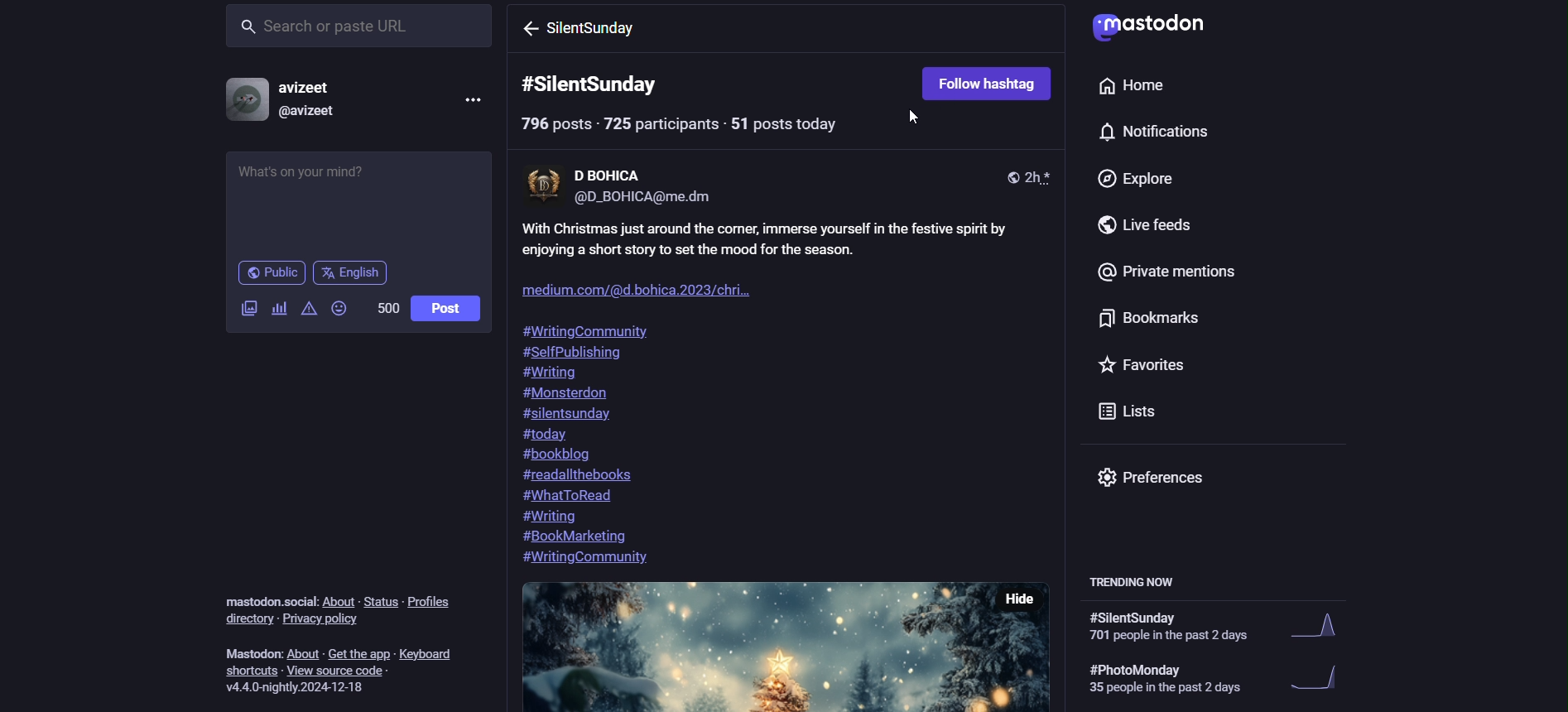  What do you see at coordinates (253, 671) in the screenshot?
I see `shortuts` at bounding box center [253, 671].